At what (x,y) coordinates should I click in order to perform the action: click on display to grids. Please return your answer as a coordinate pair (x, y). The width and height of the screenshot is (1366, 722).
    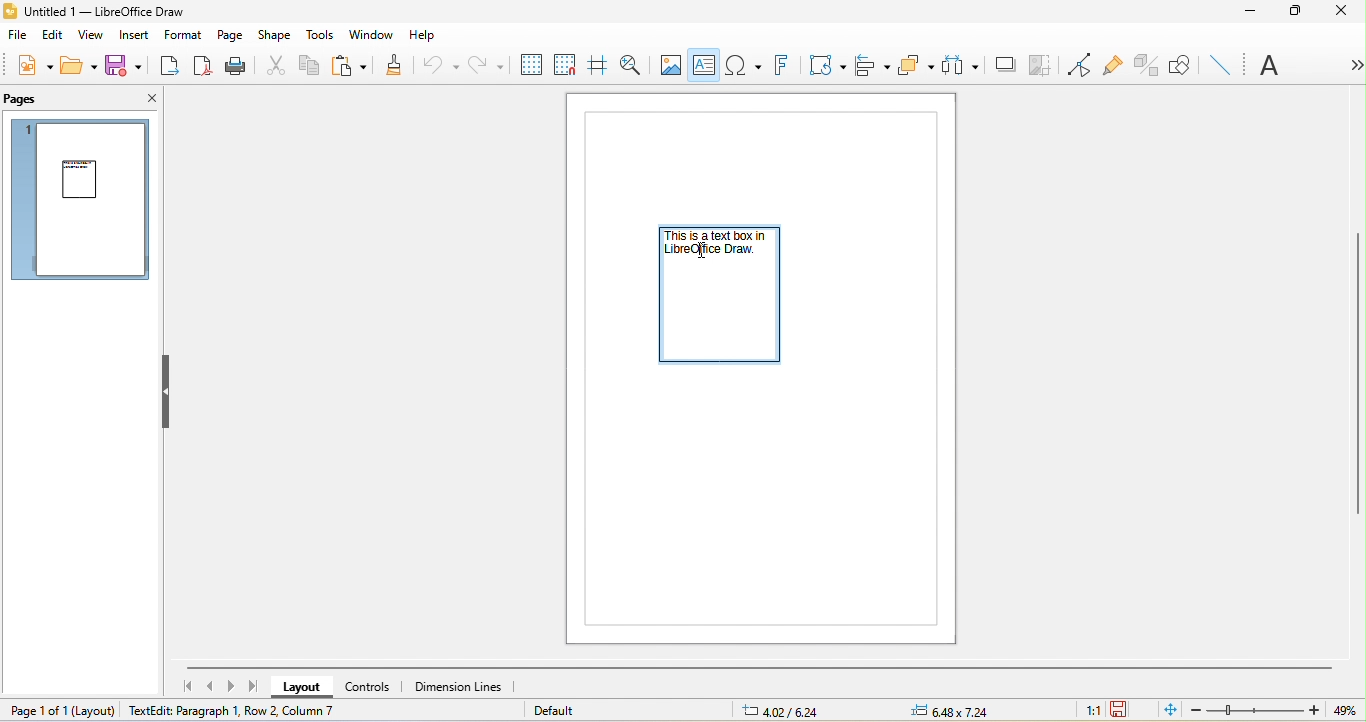
    Looking at the image, I should click on (529, 65).